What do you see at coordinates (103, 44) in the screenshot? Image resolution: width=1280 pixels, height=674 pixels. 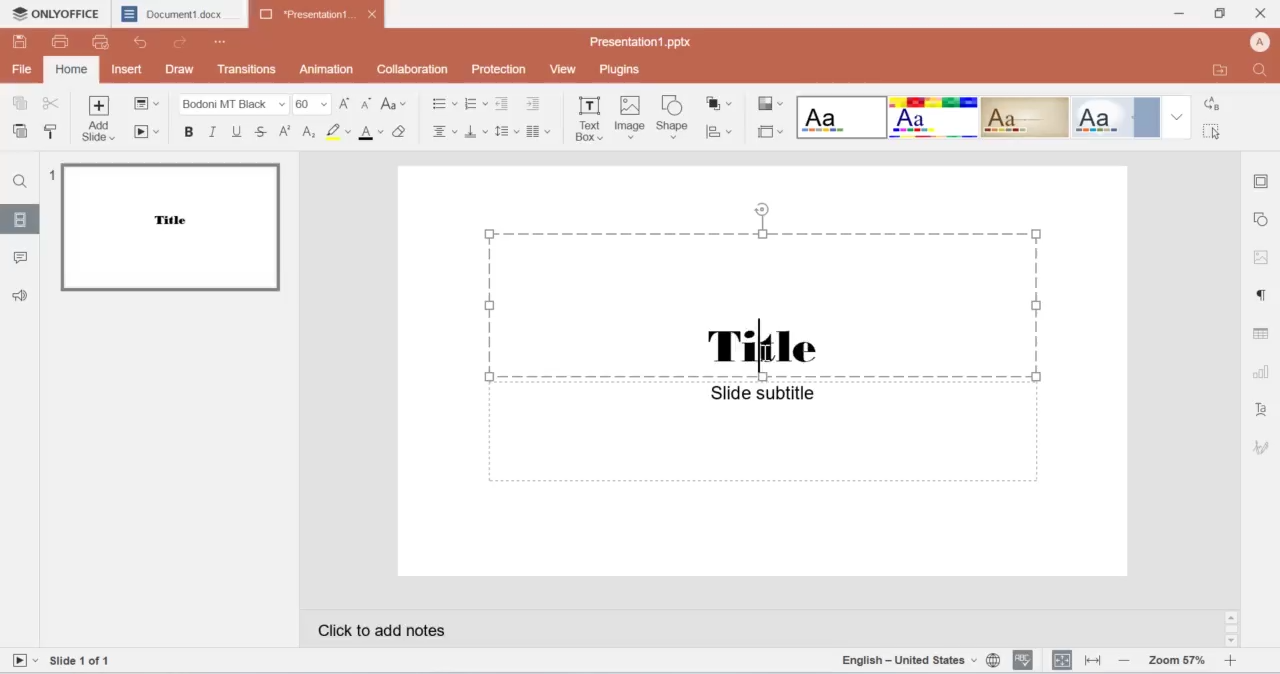 I see `preview` at bounding box center [103, 44].